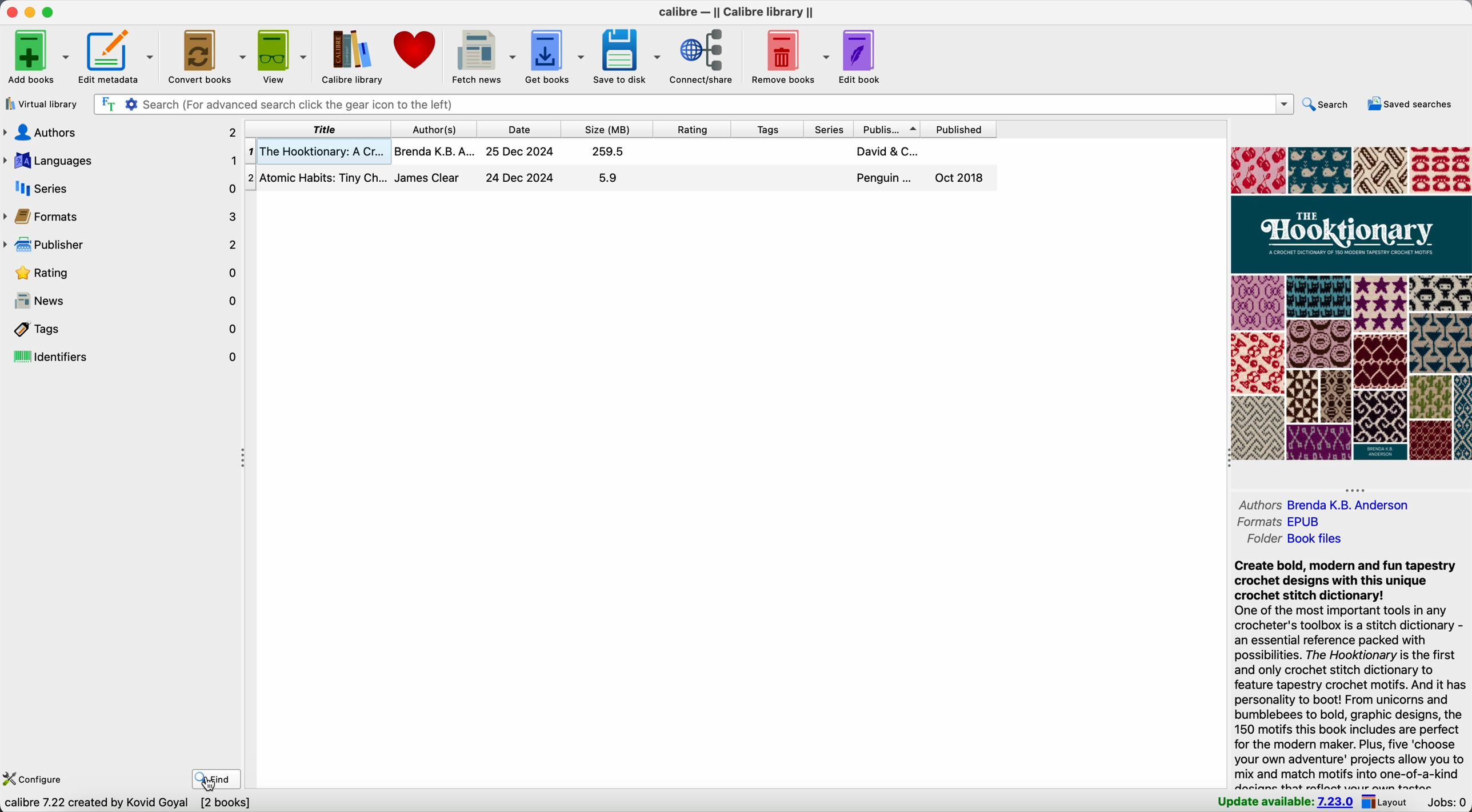 This screenshot has height=812, width=1472. I want to click on news, so click(122, 299).